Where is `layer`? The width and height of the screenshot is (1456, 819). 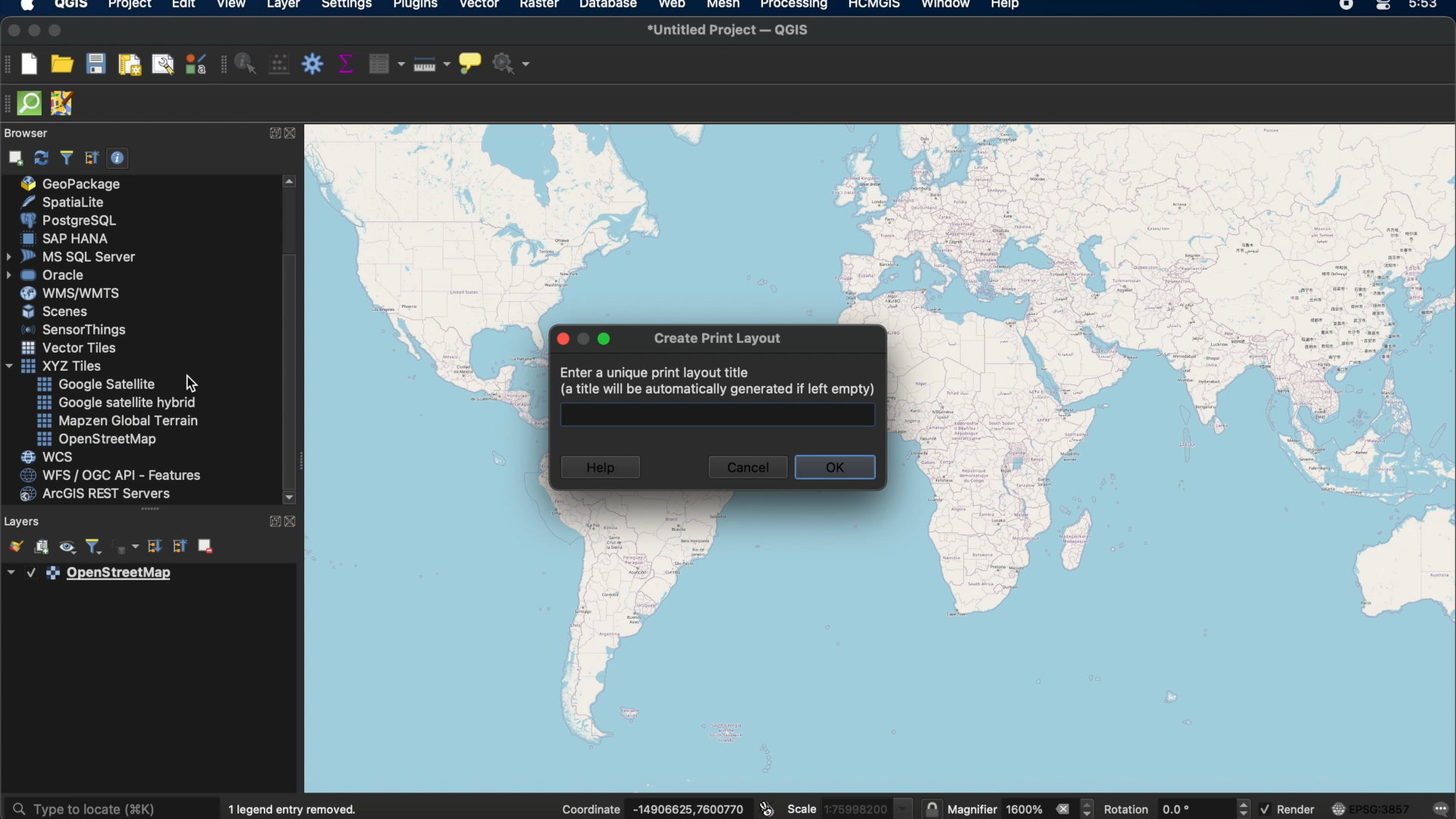
layer is located at coordinates (285, 6).